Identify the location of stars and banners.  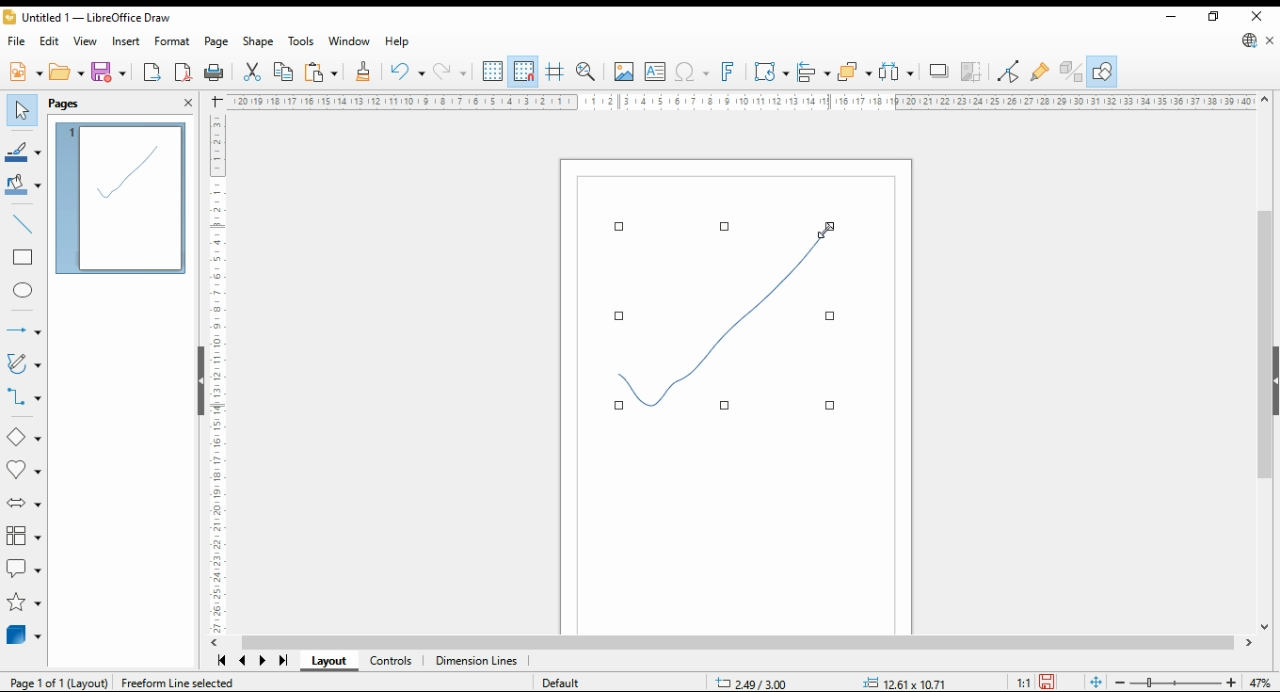
(24, 602).